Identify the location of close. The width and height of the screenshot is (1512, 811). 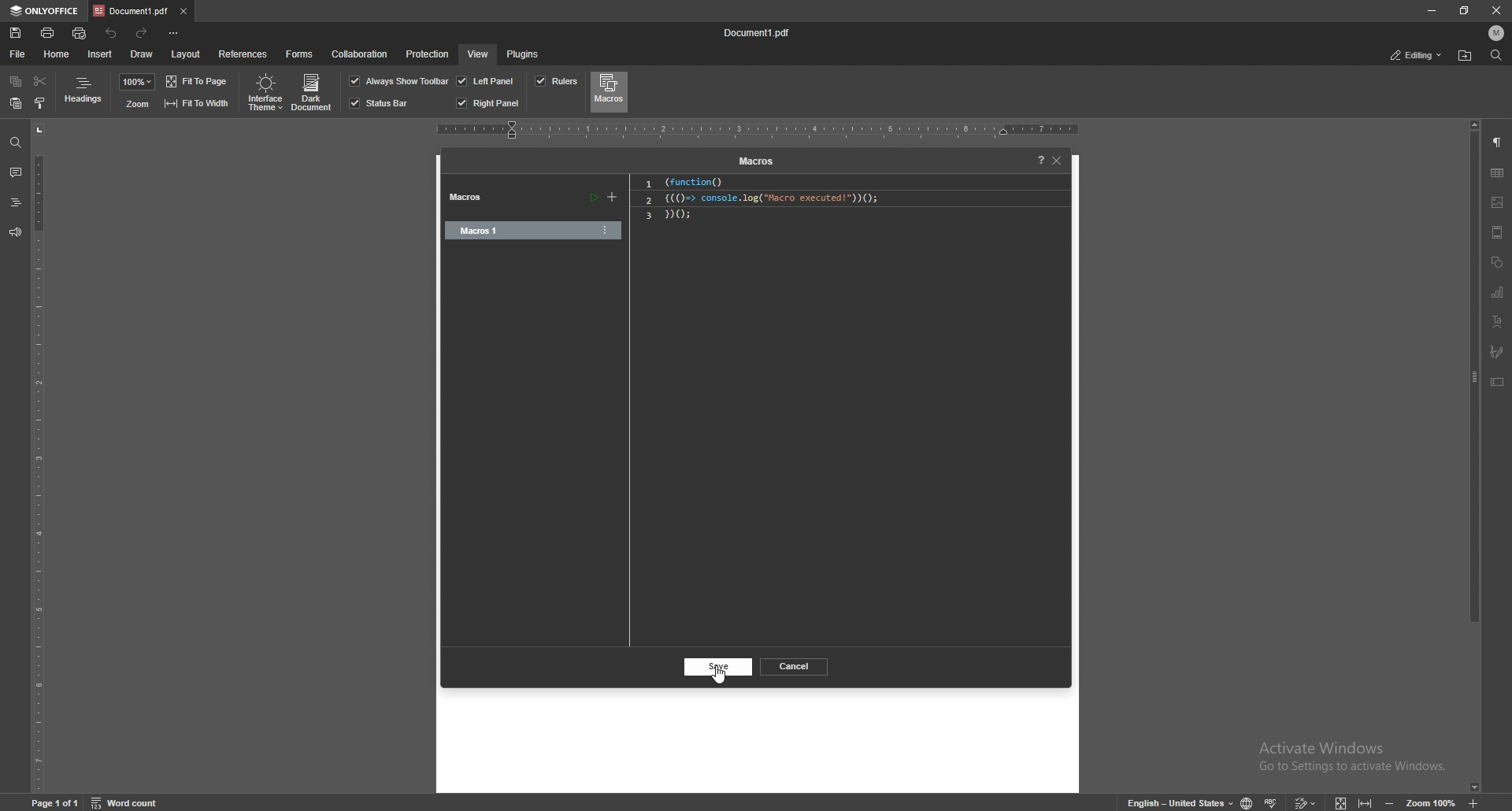
(1499, 10).